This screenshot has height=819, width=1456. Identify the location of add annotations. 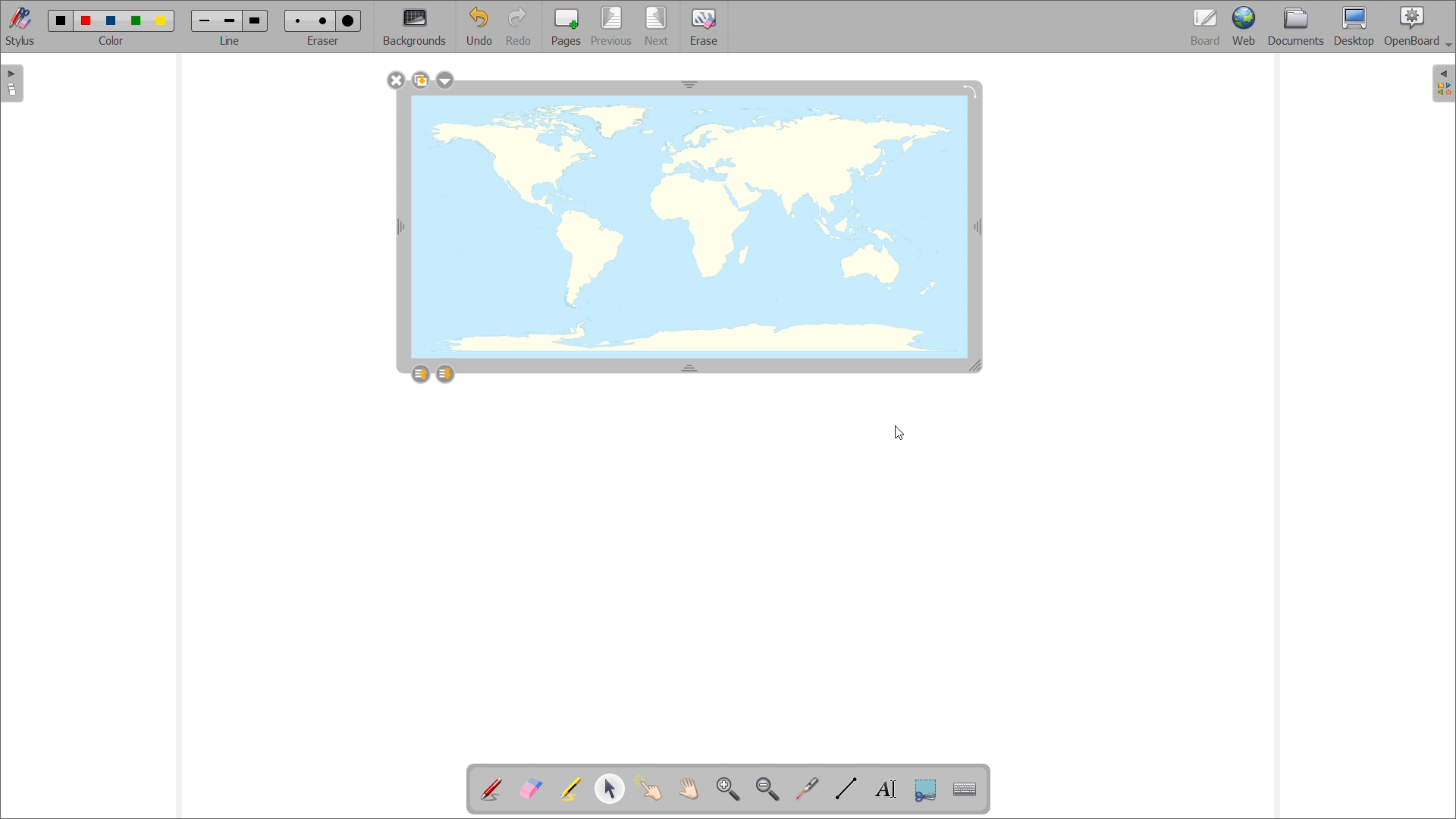
(492, 789).